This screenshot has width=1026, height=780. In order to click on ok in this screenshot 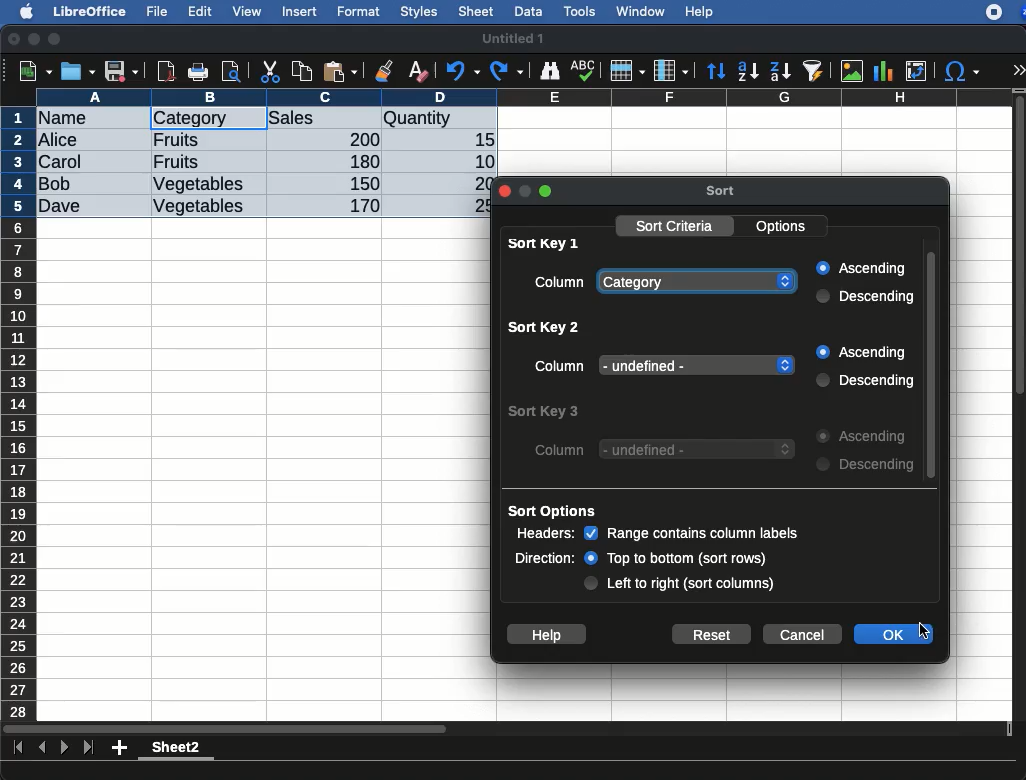, I will do `click(884, 633)`.